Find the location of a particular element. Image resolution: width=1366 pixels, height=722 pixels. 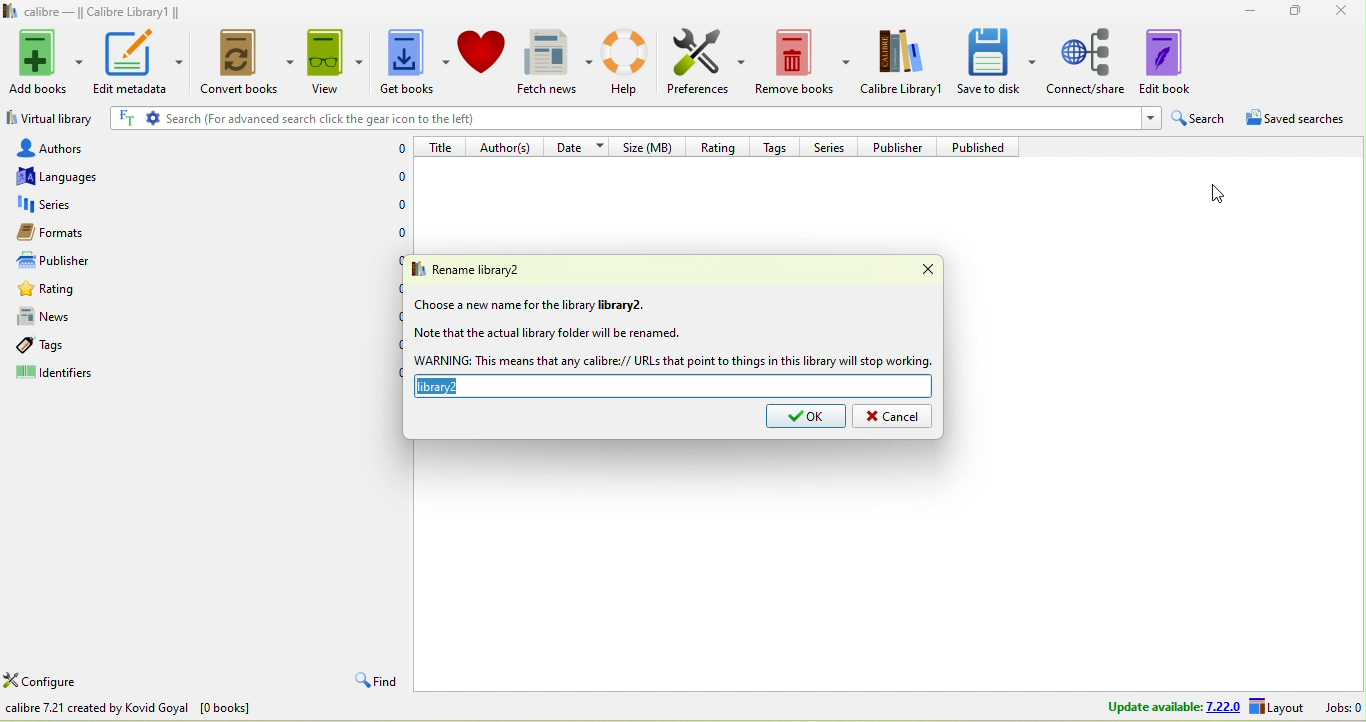

view is located at coordinates (333, 61).